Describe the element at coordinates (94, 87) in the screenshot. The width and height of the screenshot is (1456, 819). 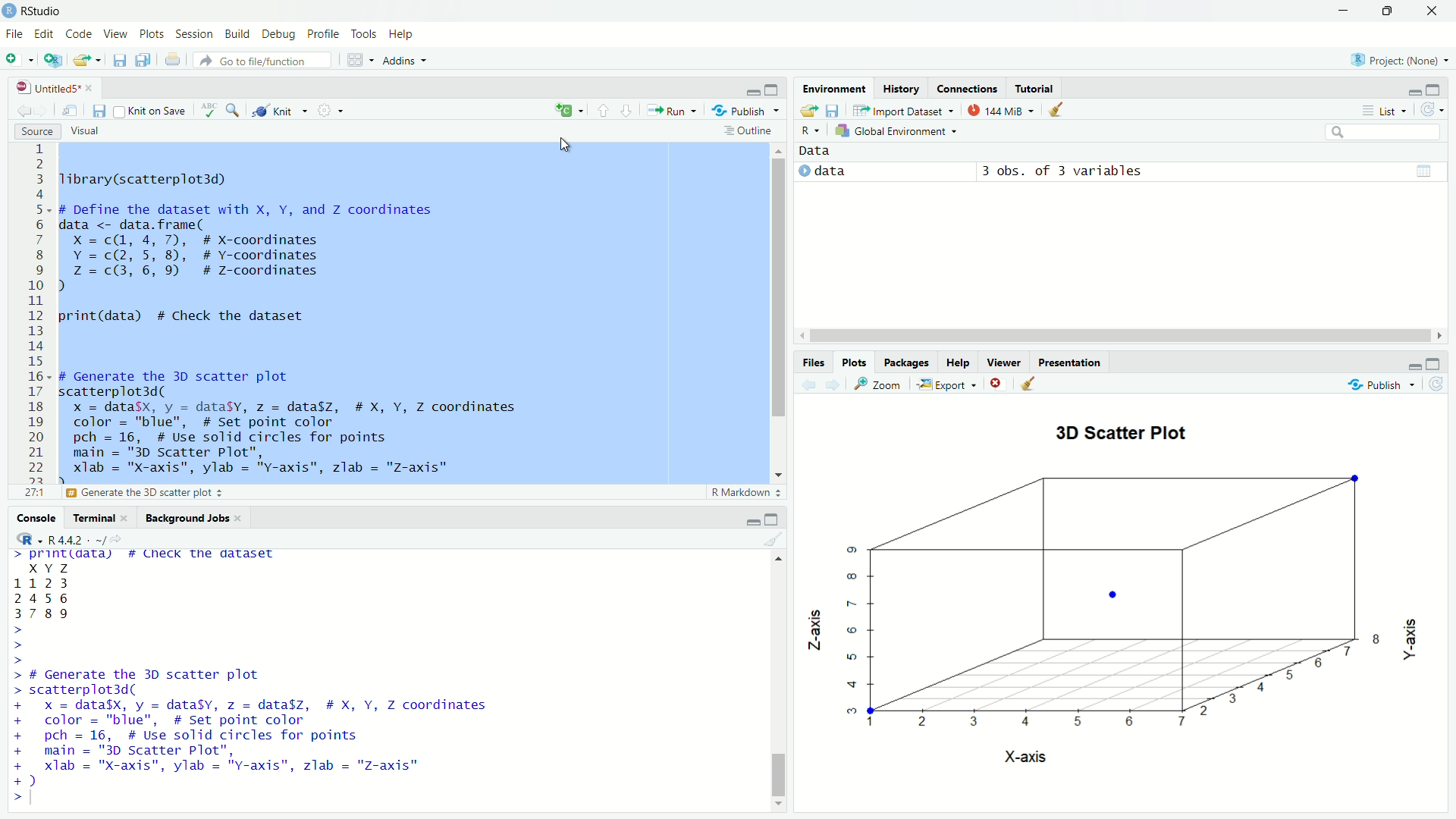
I see `close` at that location.